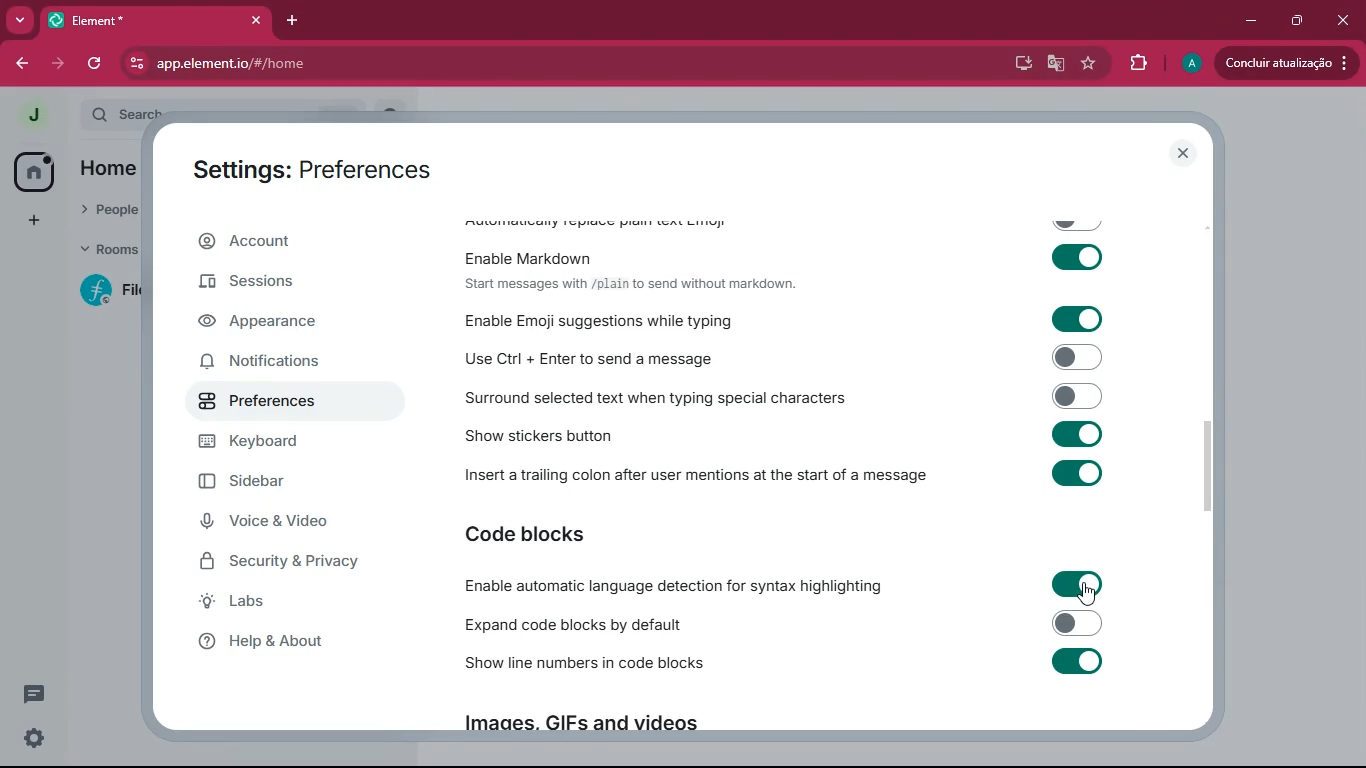 The height and width of the screenshot is (768, 1366). Describe the element at coordinates (290, 242) in the screenshot. I see `account` at that location.